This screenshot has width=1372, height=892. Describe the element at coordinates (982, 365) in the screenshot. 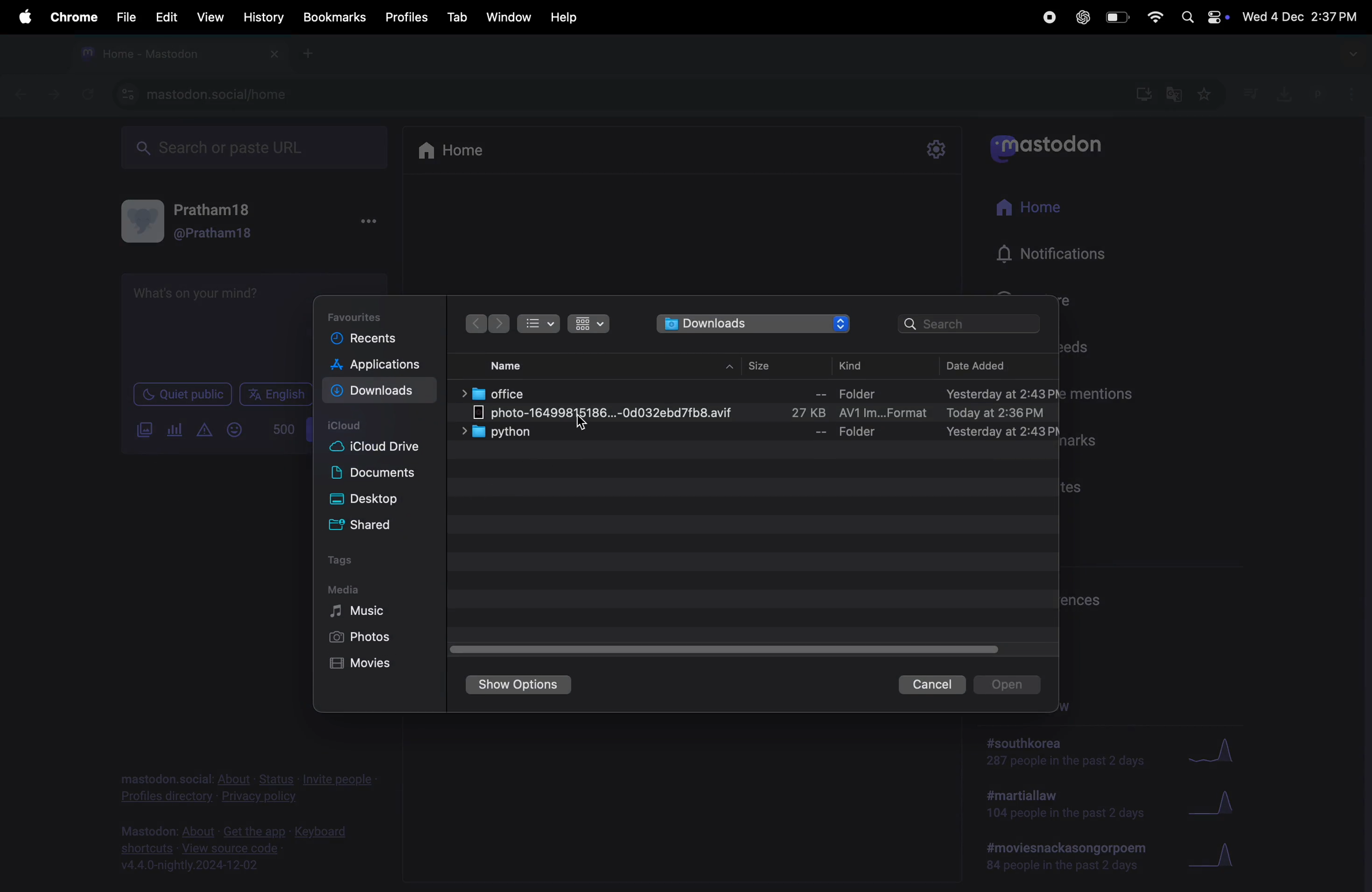

I see `date modified` at that location.